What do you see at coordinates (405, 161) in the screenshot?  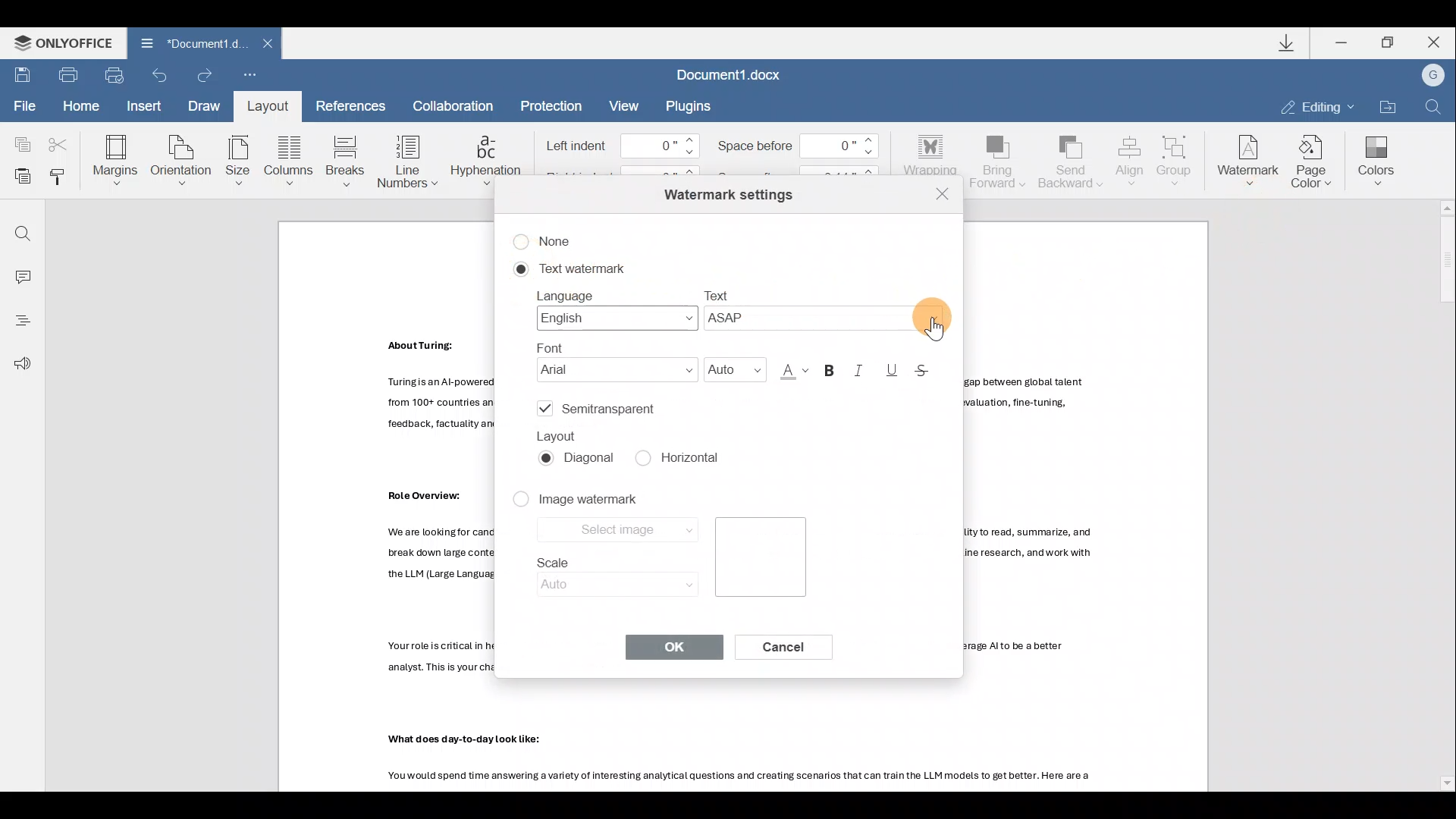 I see `Line numbers` at bounding box center [405, 161].